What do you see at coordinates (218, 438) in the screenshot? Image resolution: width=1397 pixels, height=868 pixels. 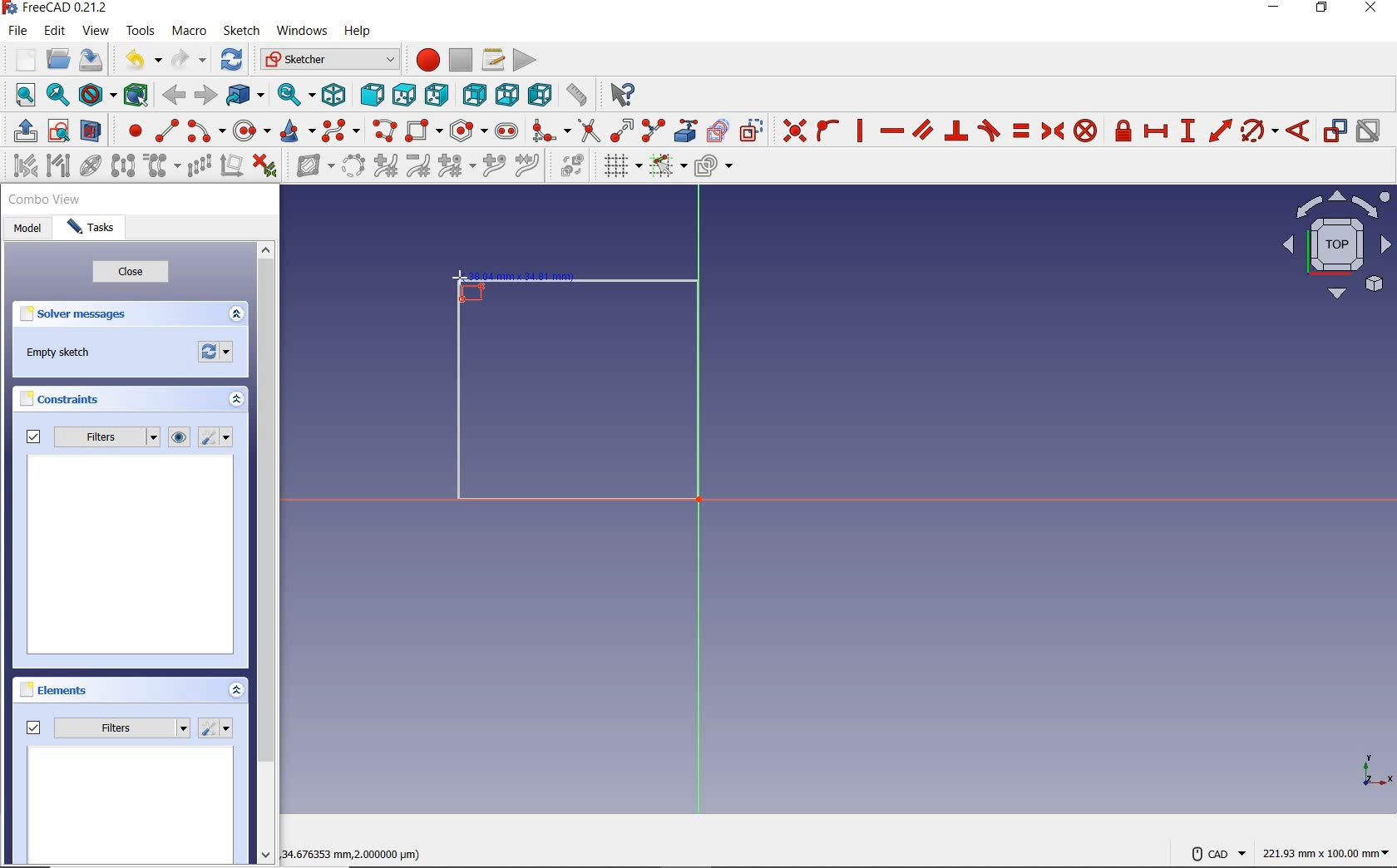 I see `ssttings` at bounding box center [218, 438].